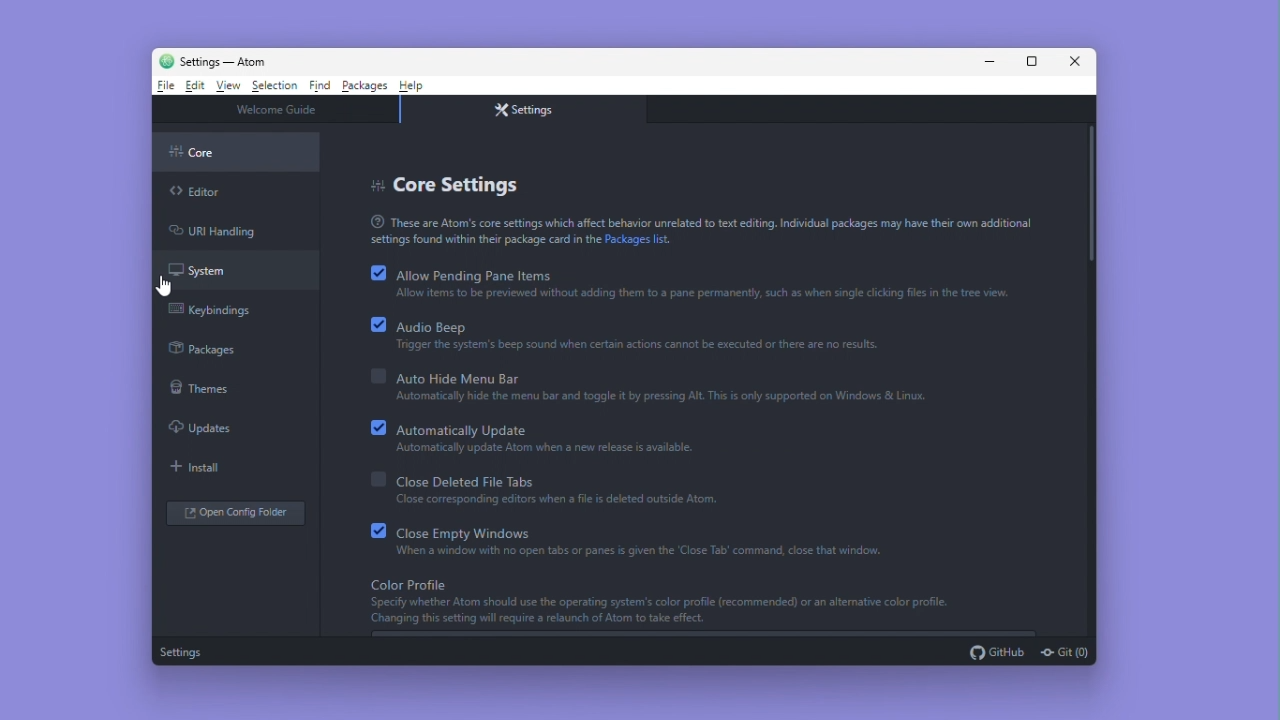  I want to click on core , so click(238, 153).